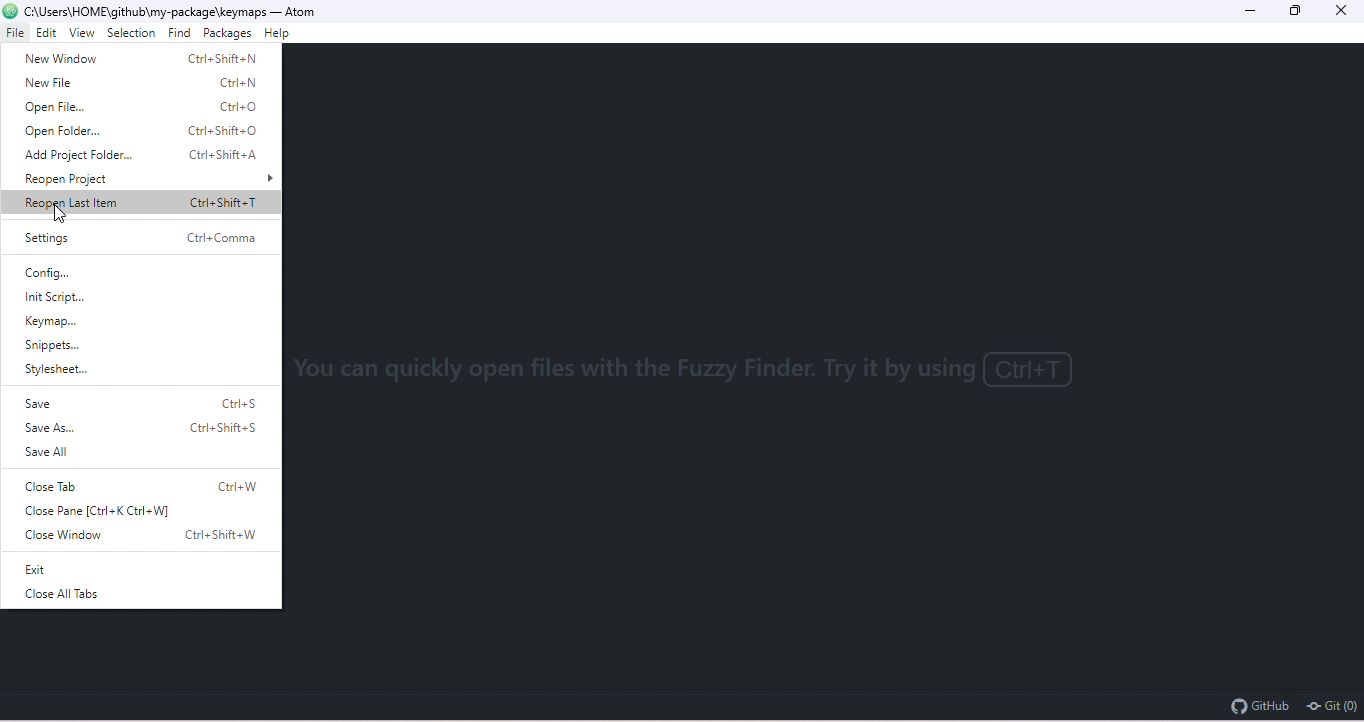 Image resolution: width=1364 pixels, height=722 pixels. I want to click on key map, so click(108, 319).